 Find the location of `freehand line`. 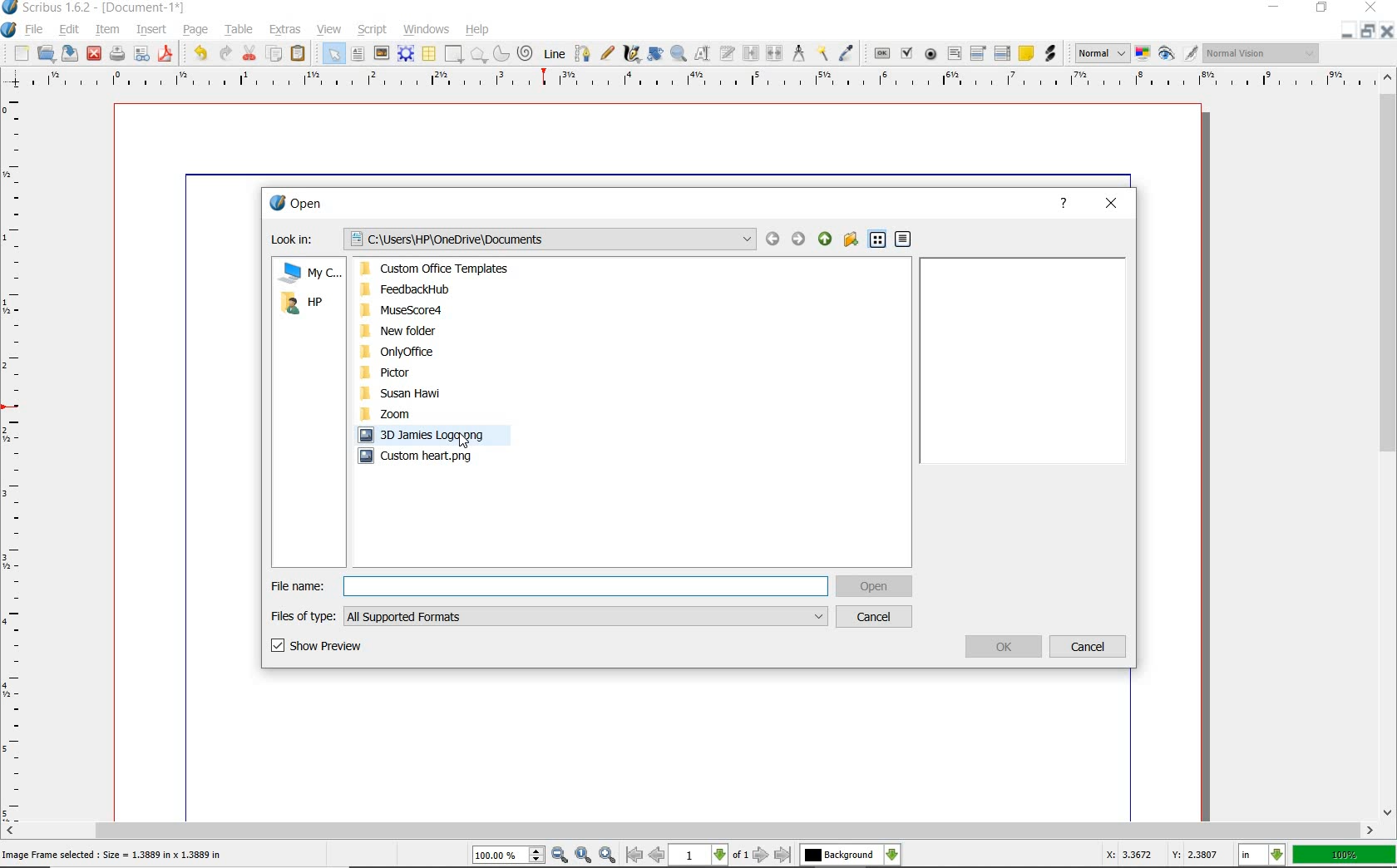

freehand line is located at coordinates (606, 52).